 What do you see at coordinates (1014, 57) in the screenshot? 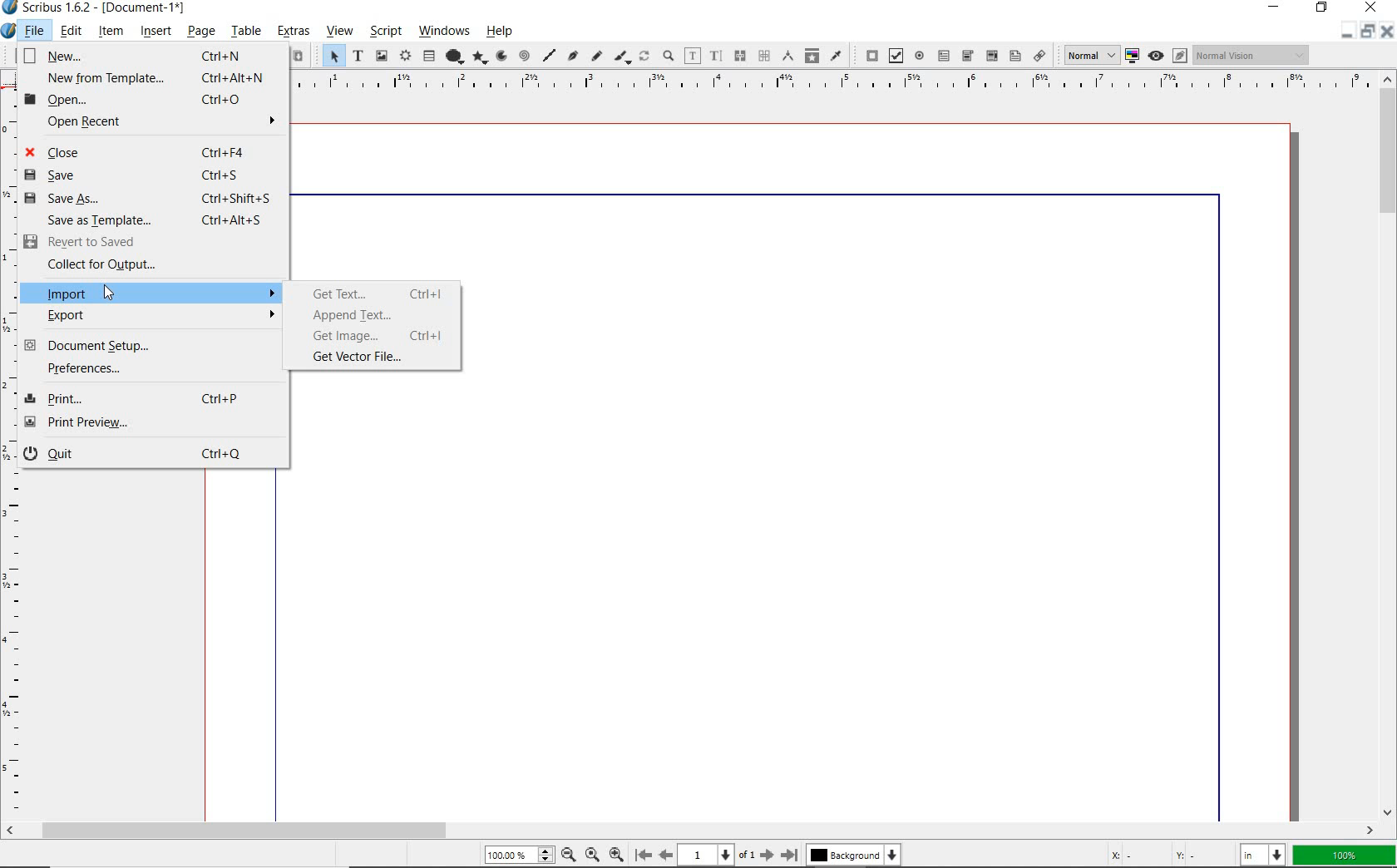
I see `pdf list box` at bounding box center [1014, 57].